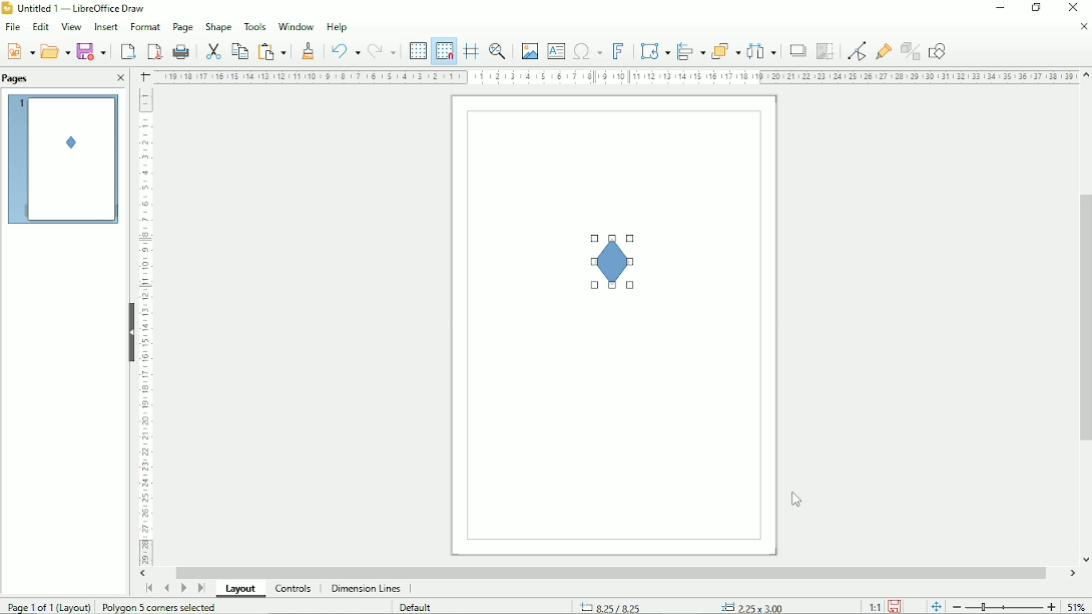 This screenshot has height=614, width=1092. What do you see at coordinates (882, 50) in the screenshot?
I see `Show gluepoint functions` at bounding box center [882, 50].